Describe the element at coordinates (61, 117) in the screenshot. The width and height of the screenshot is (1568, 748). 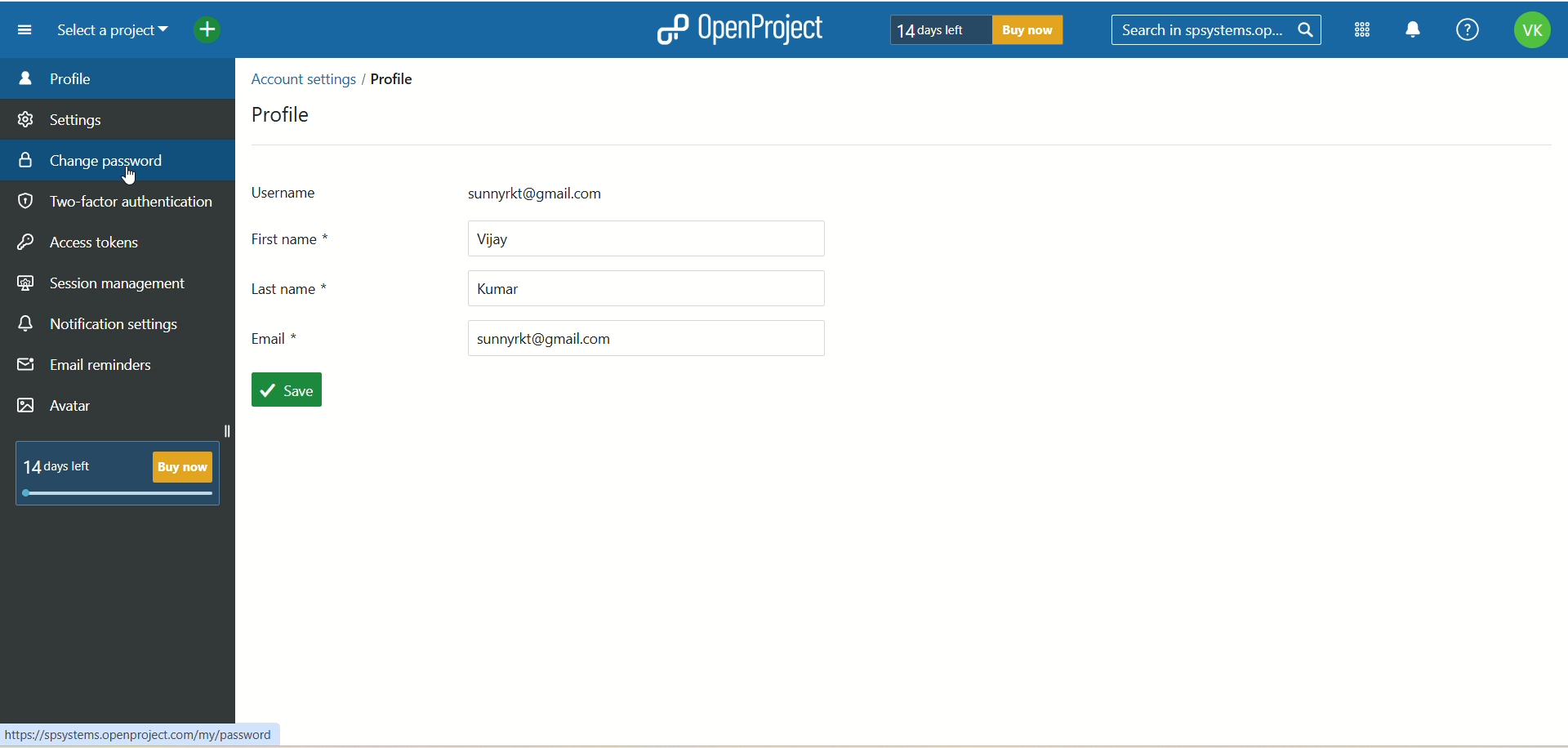
I see `settings` at that location.